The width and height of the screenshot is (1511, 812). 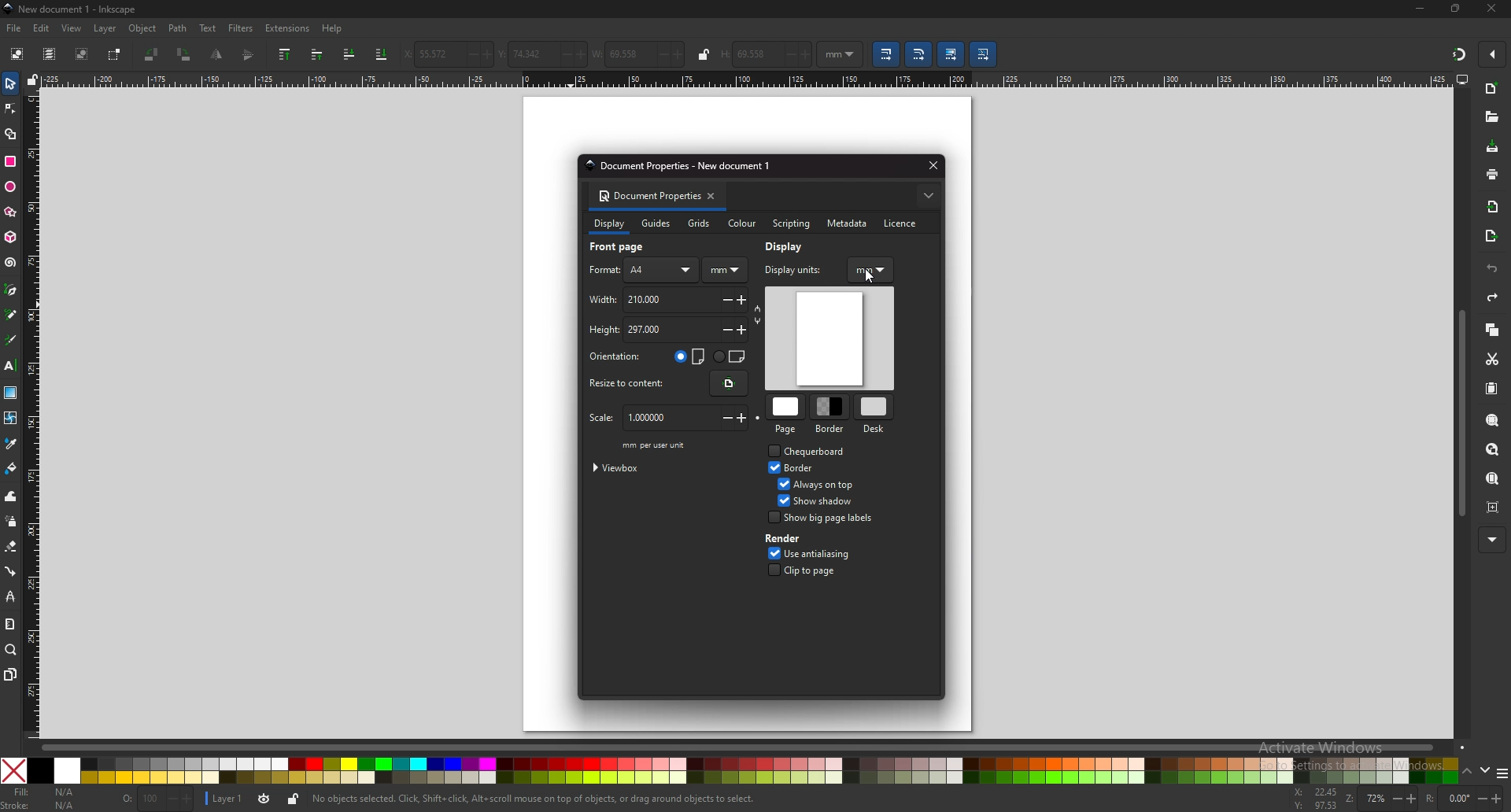 I want to click on down, so click(x=1484, y=771).